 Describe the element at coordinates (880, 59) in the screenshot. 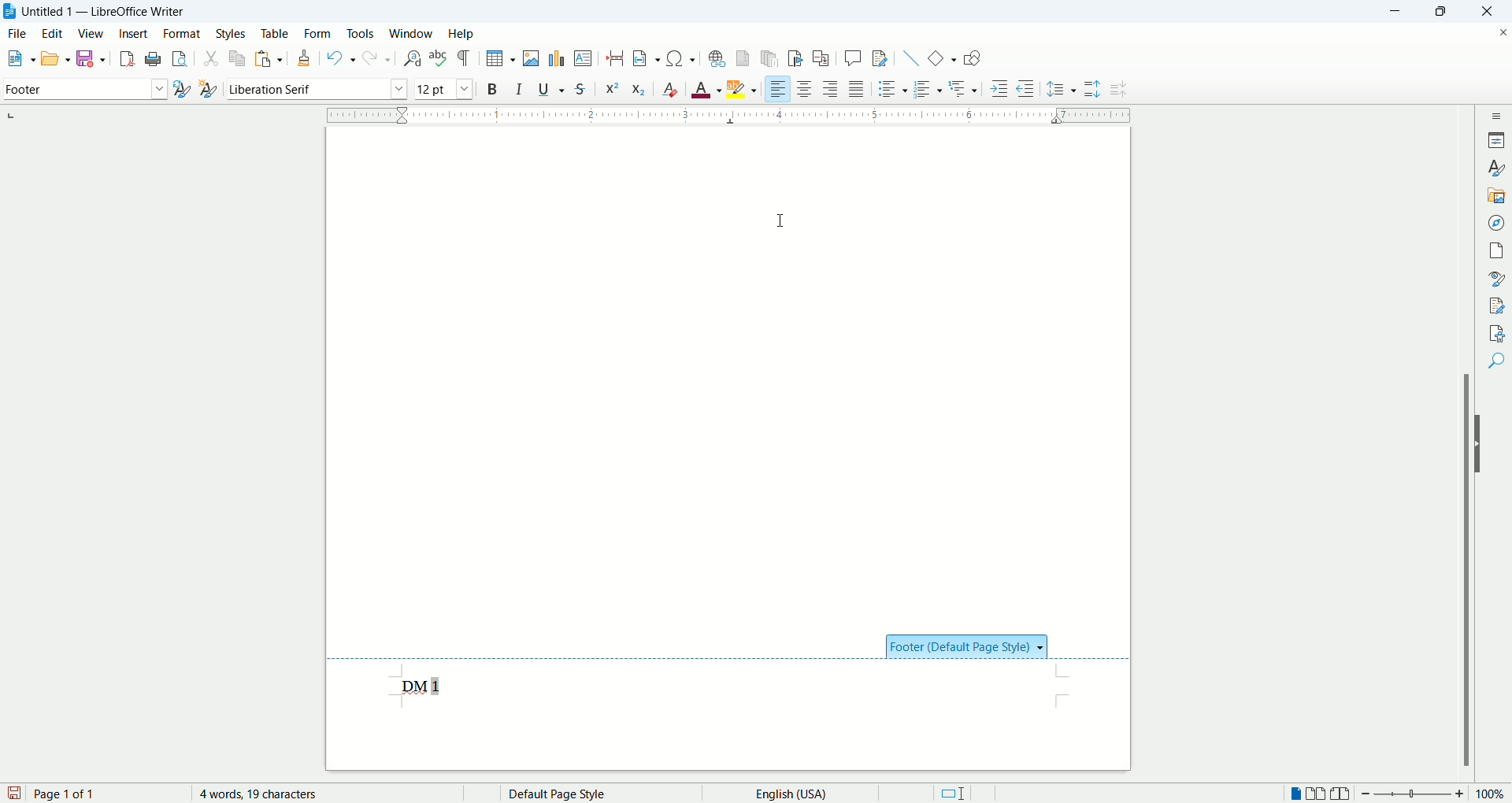

I see `track changes` at that location.